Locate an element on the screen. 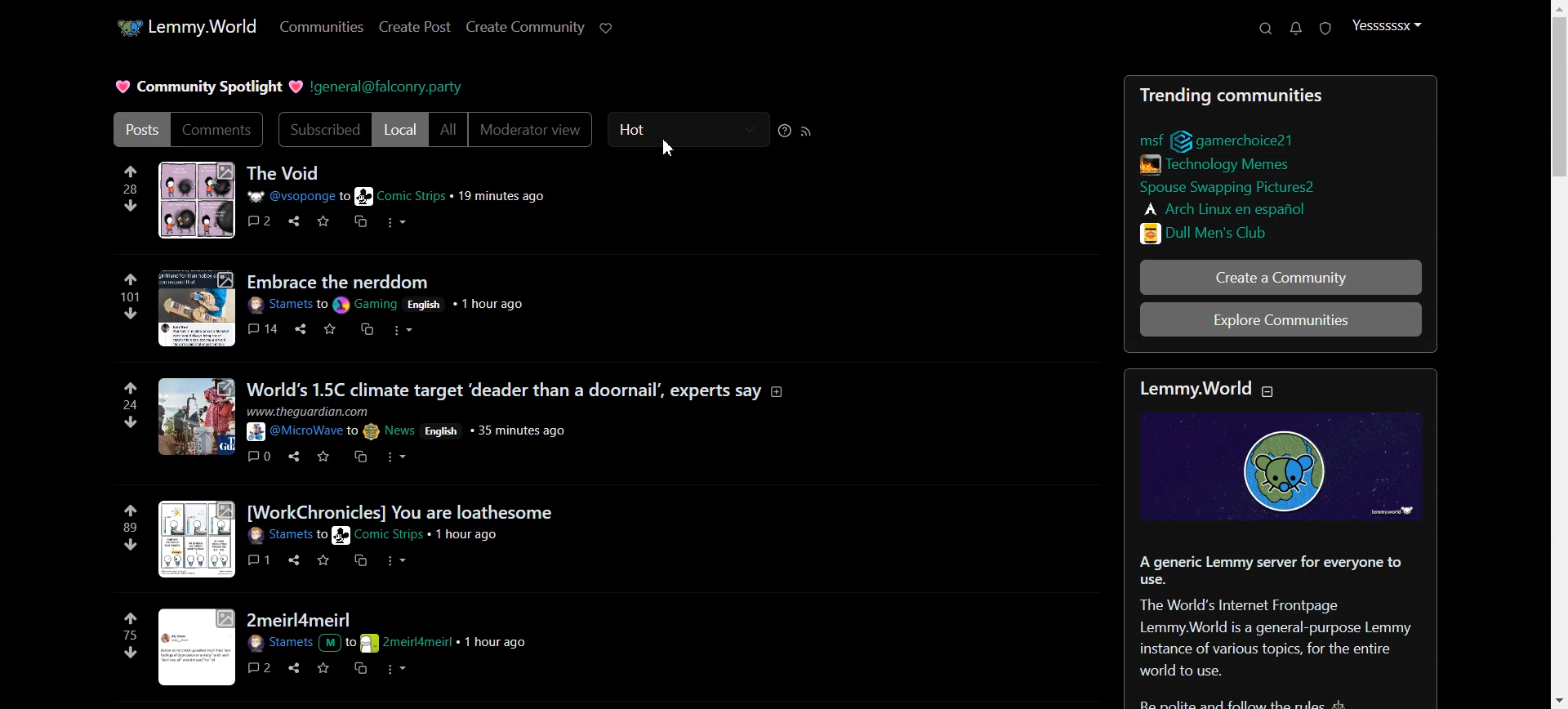  cross post is located at coordinates (355, 668).